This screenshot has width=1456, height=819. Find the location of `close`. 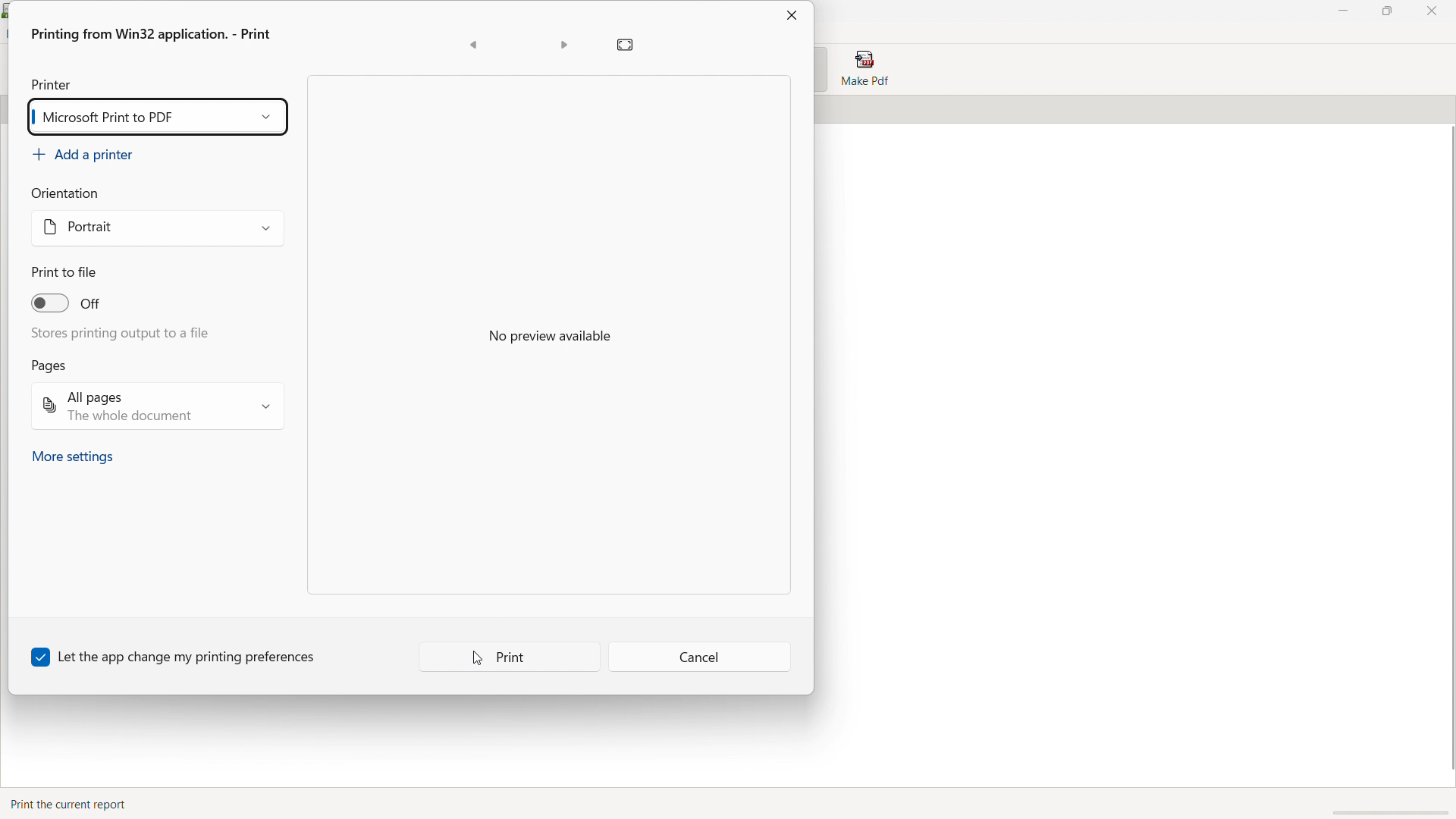

close is located at coordinates (791, 15).